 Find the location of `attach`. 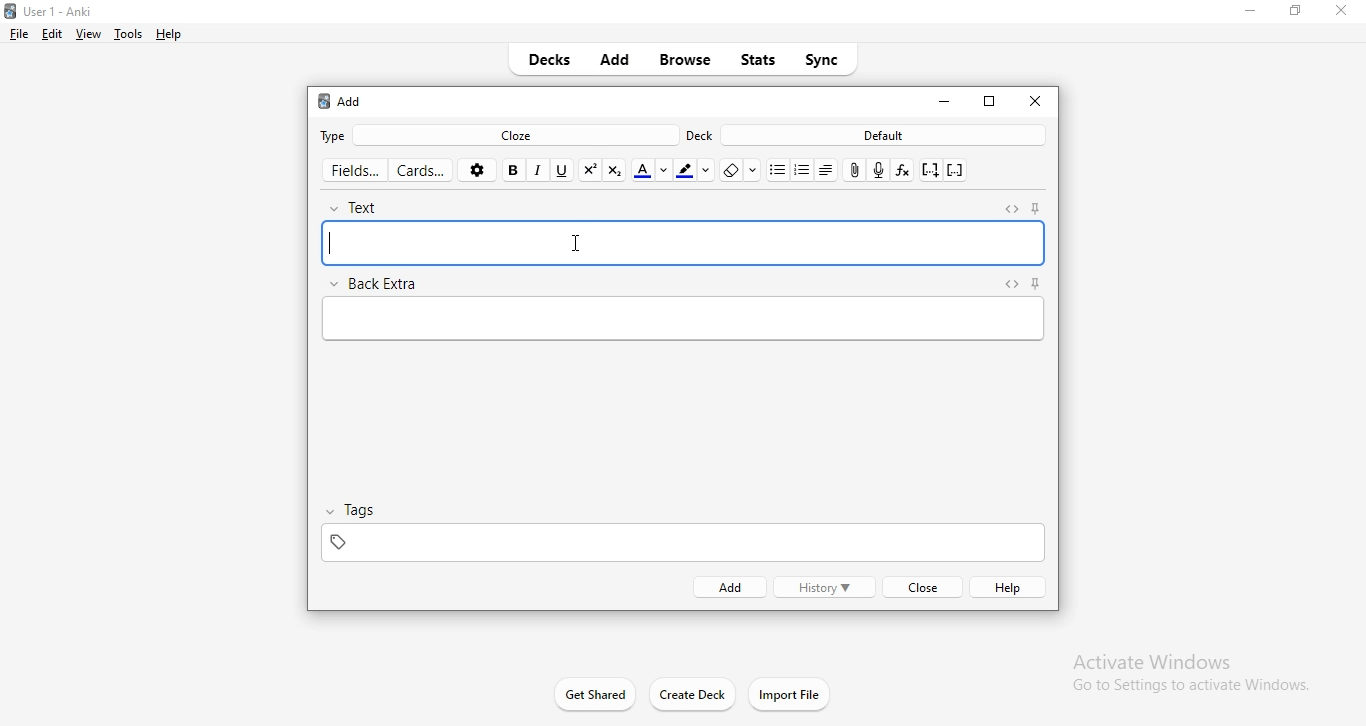

attach is located at coordinates (855, 171).